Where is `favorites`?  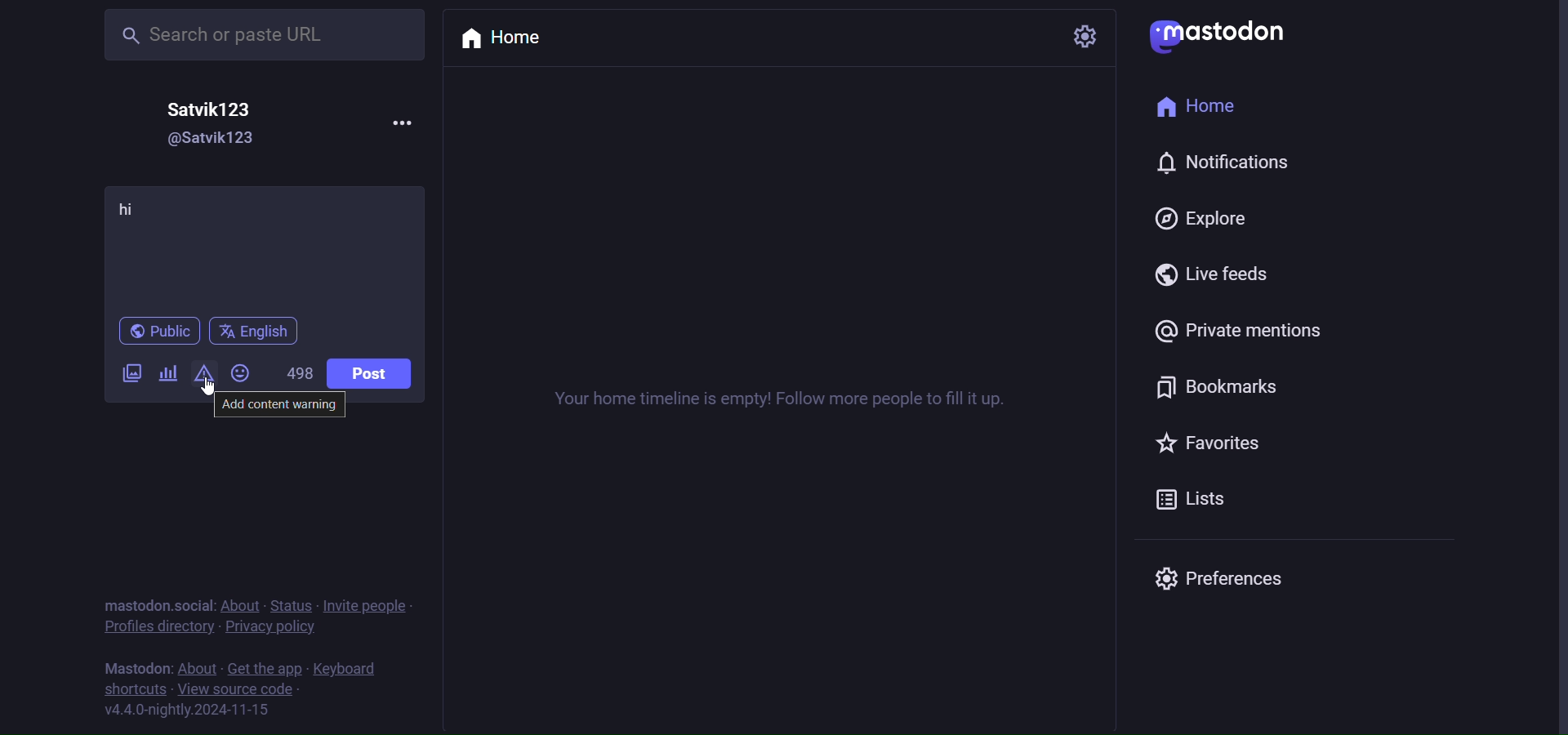 favorites is located at coordinates (1213, 444).